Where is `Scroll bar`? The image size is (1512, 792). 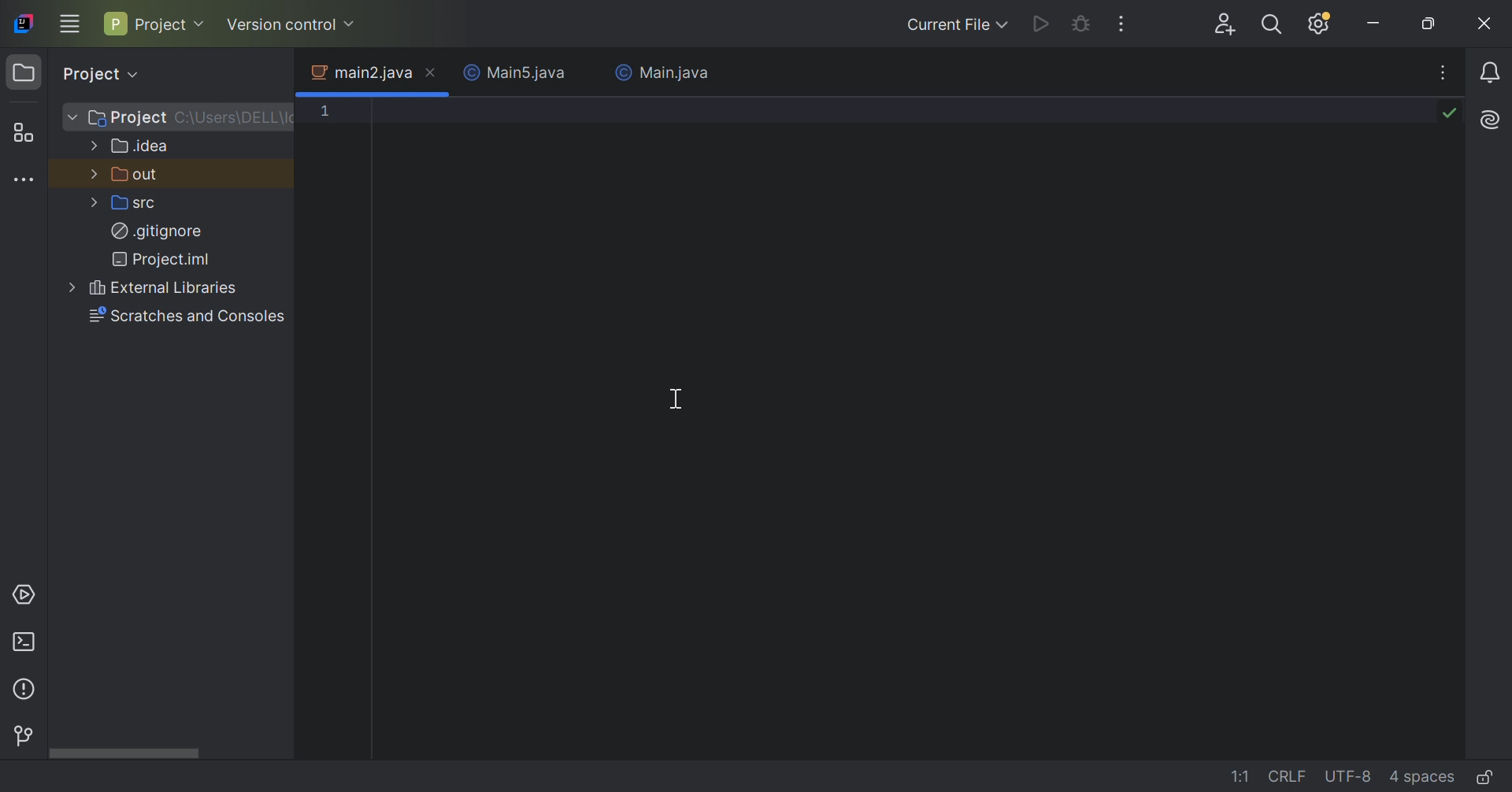 Scroll bar is located at coordinates (124, 753).